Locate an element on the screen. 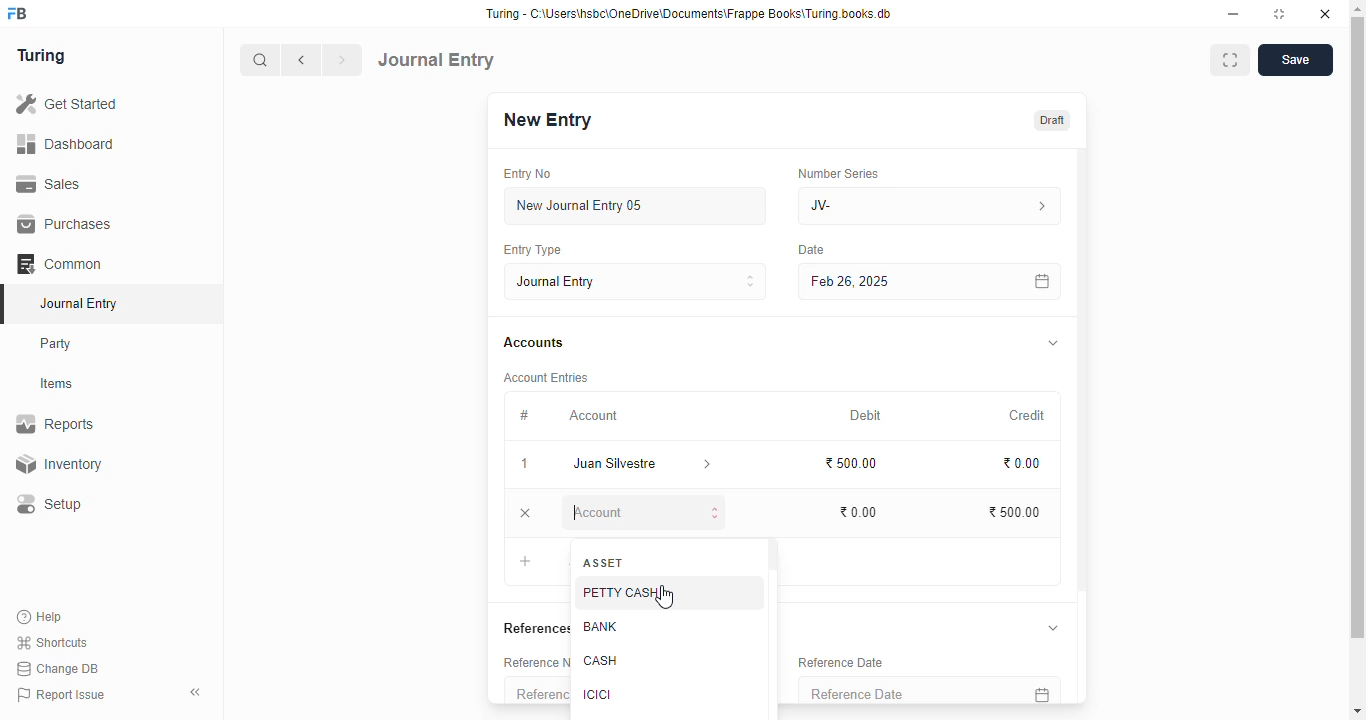  dashboard is located at coordinates (66, 143).